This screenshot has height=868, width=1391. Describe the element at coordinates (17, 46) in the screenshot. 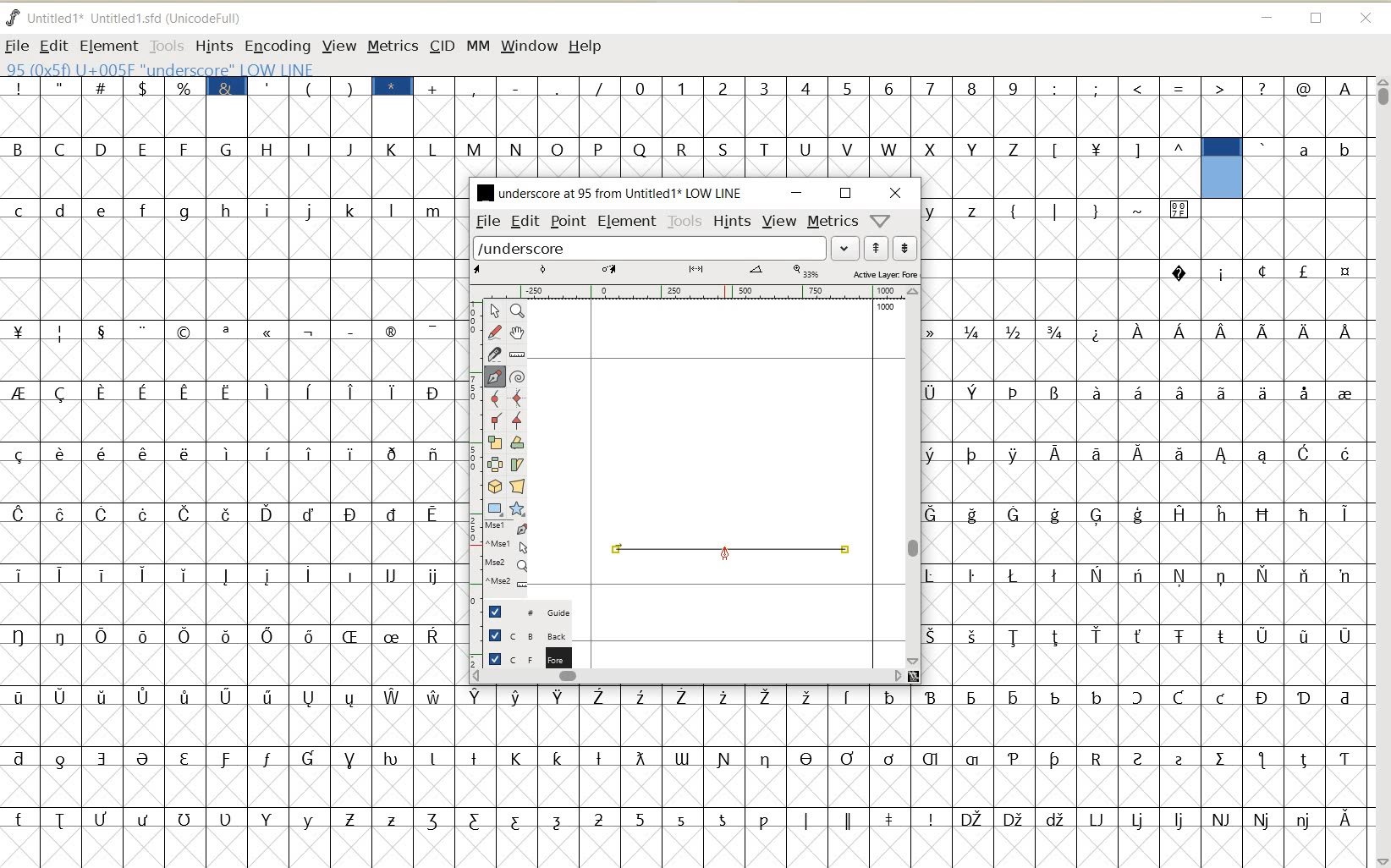

I see `FILE` at that location.